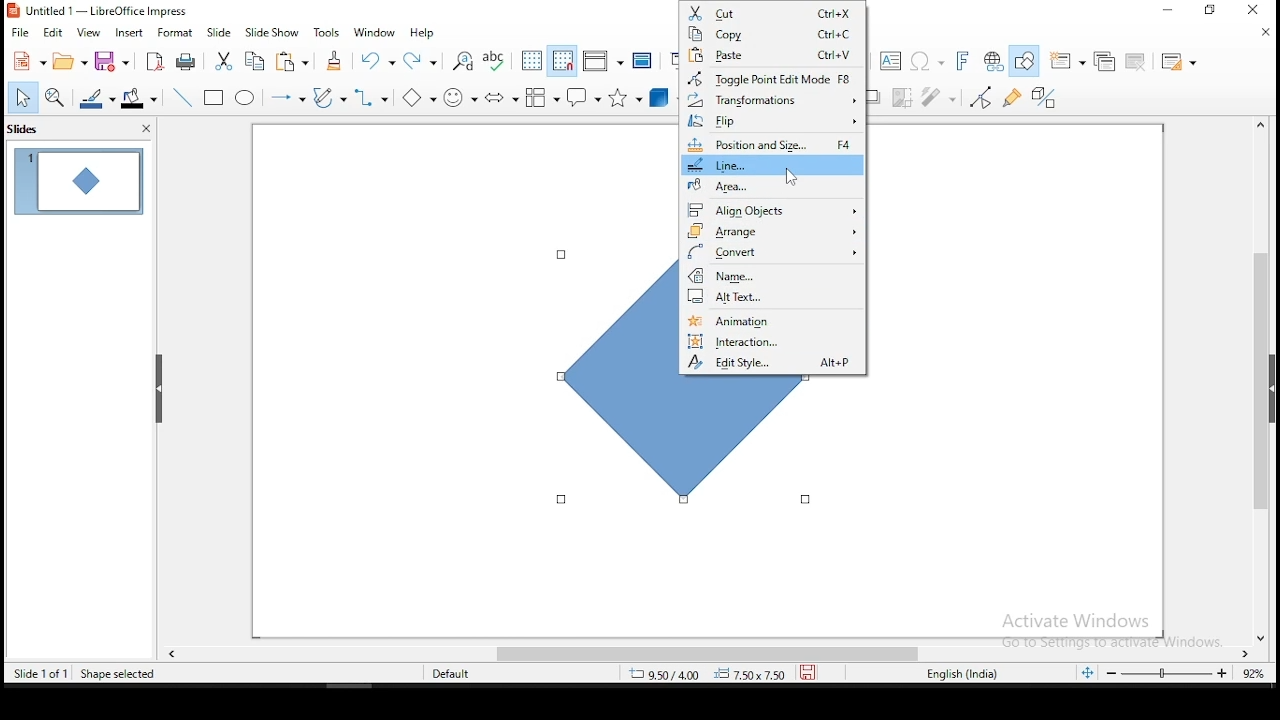 Image resolution: width=1280 pixels, height=720 pixels. I want to click on copy, so click(255, 61).